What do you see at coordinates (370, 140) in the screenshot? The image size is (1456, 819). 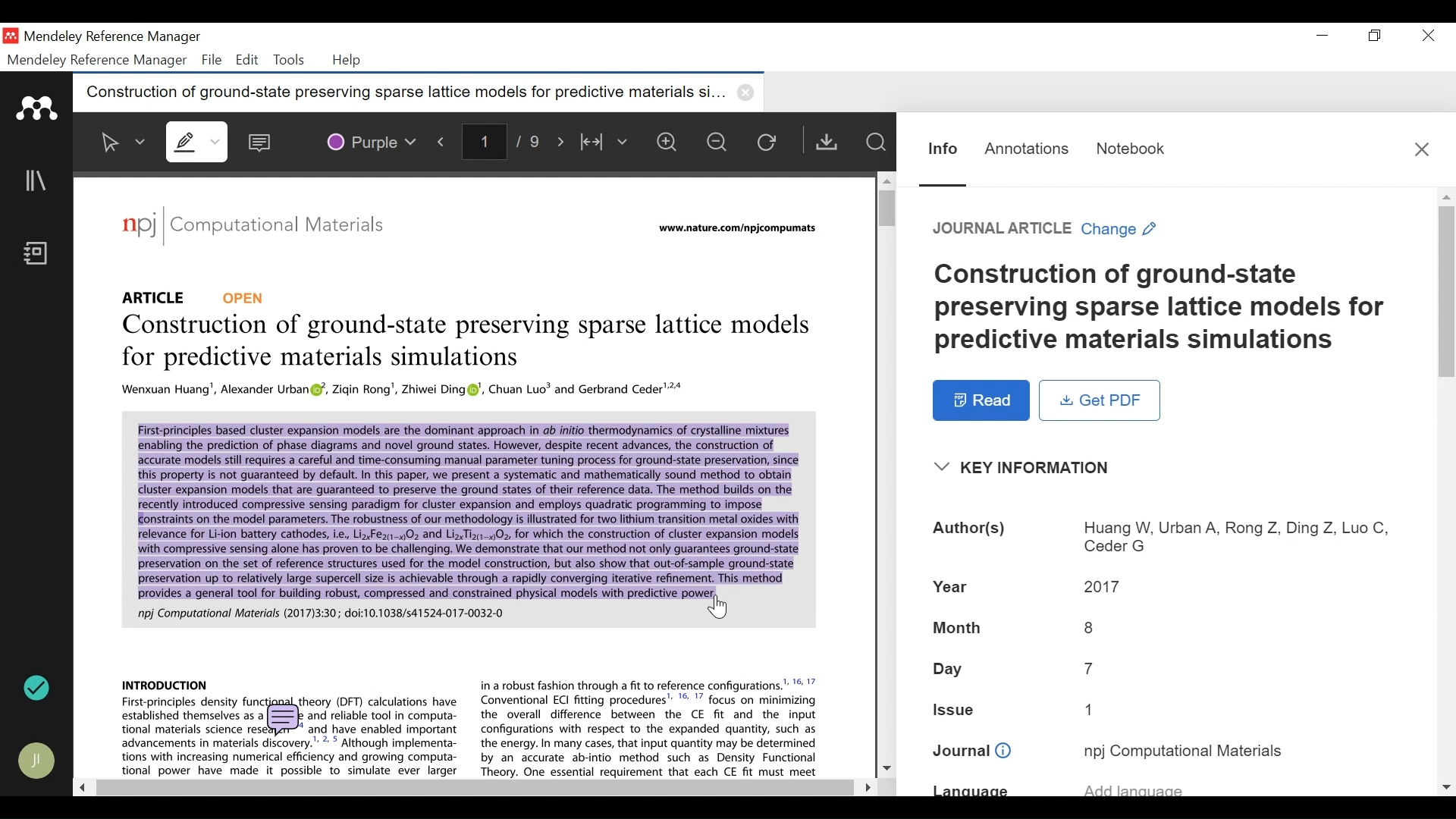 I see `Color` at bounding box center [370, 140].